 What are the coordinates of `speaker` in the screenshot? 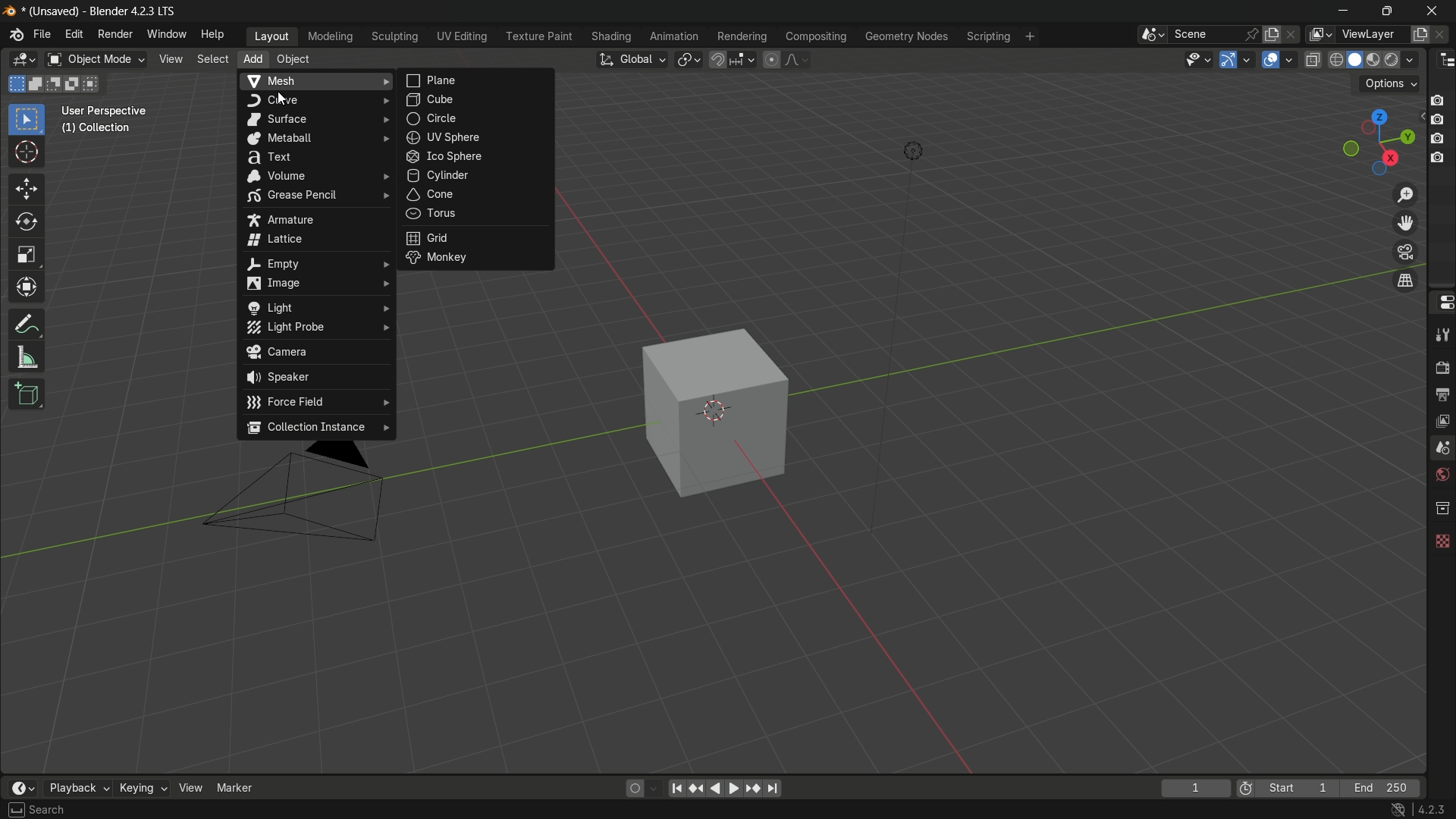 It's located at (318, 378).